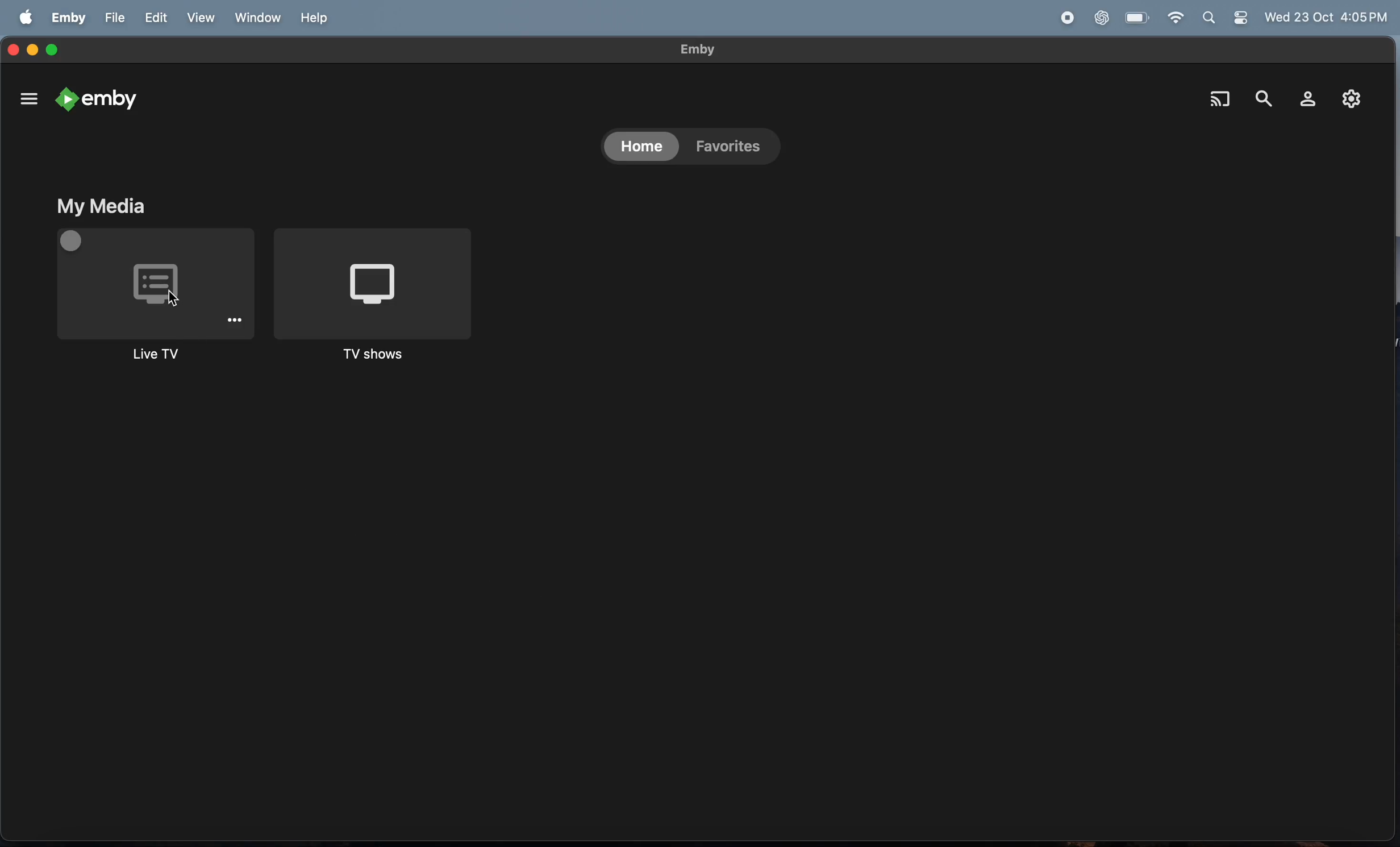 The image size is (1400, 847). Describe the element at coordinates (1349, 99) in the screenshot. I see `setting` at that location.